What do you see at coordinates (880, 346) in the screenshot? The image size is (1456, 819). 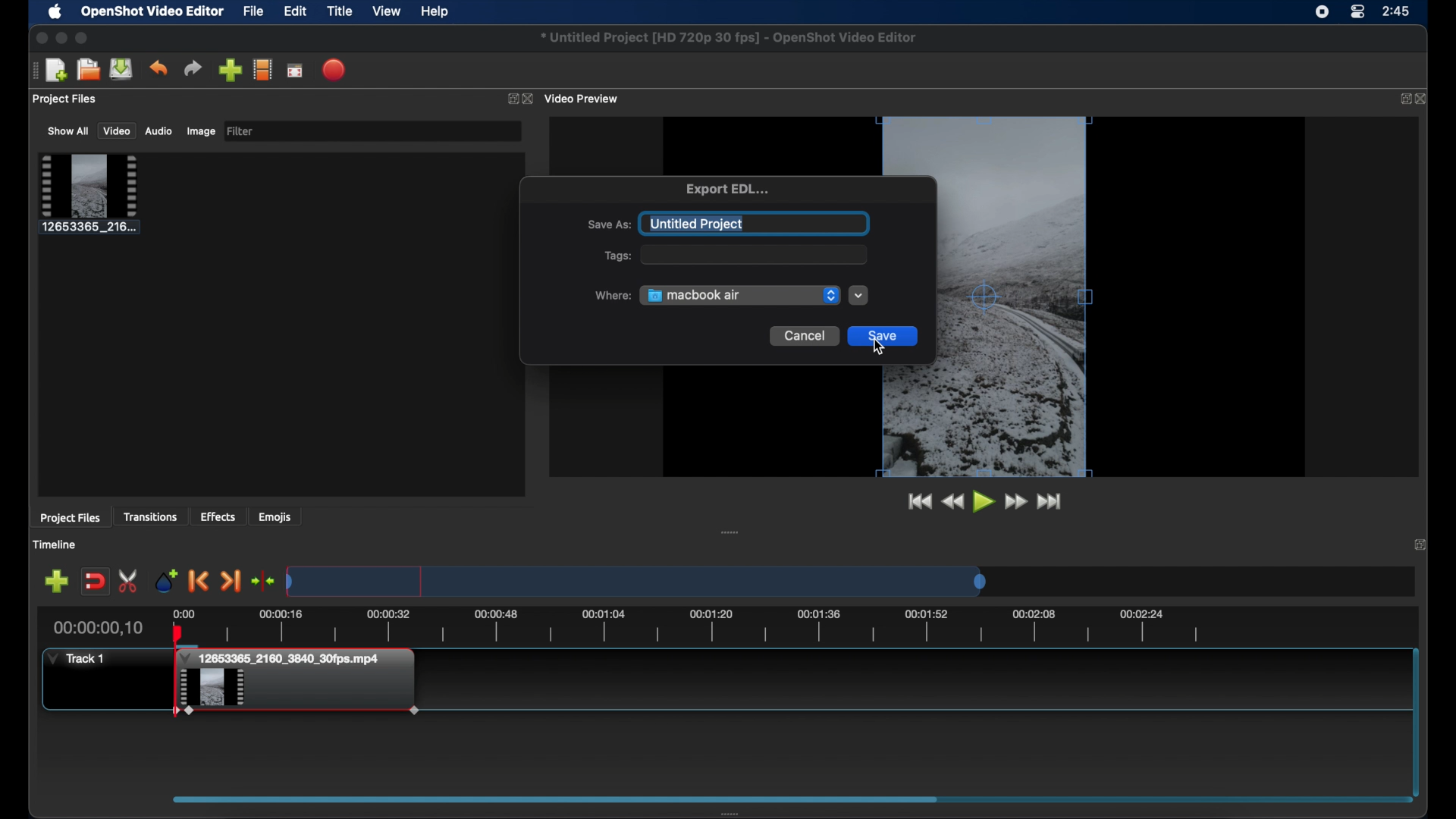 I see `cursor` at bounding box center [880, 346].